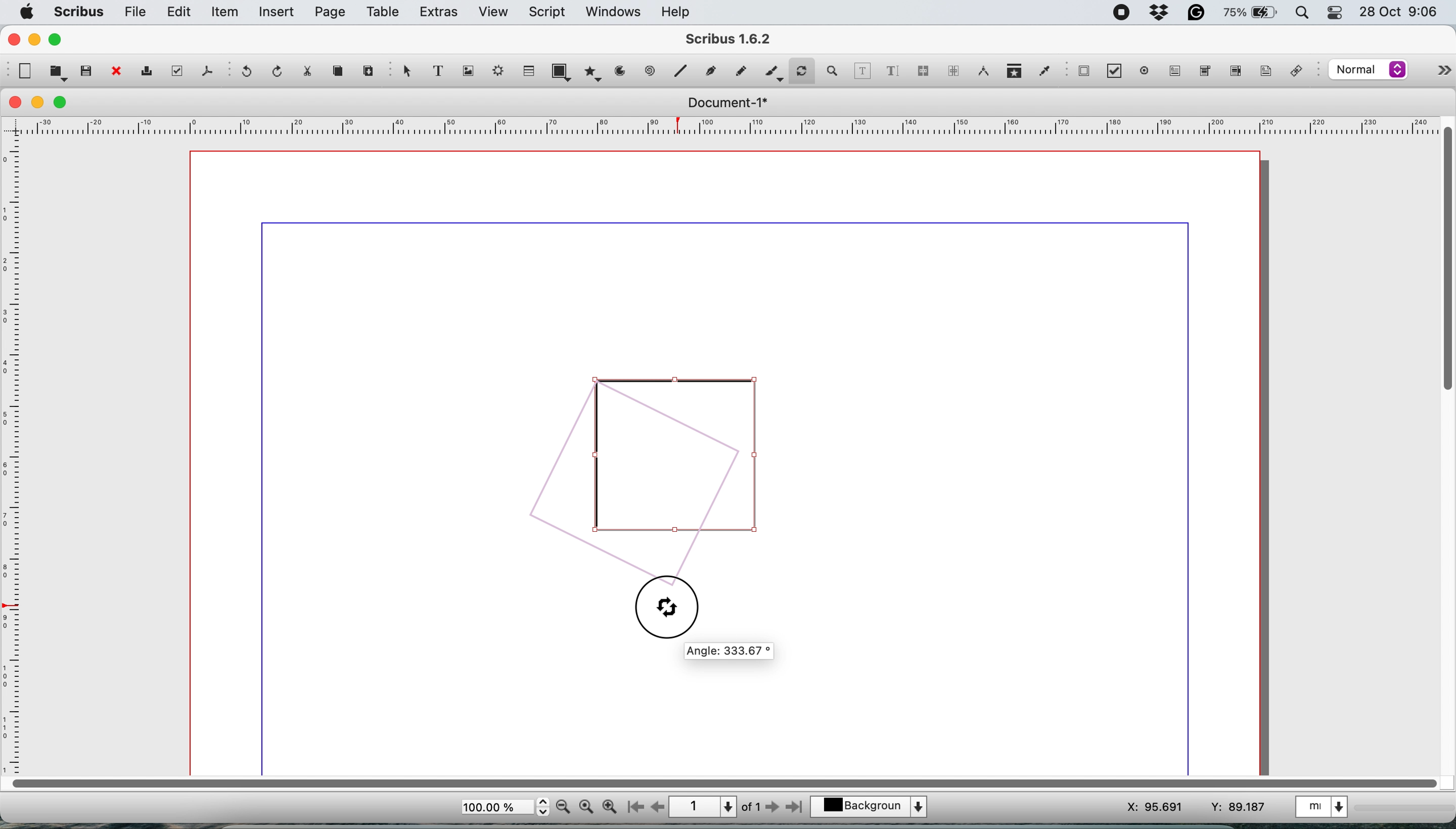 This screenshot has width=1456, height=829. What do you see at coordinates (1248, 14) in the screenshot?
I see `battery` at bounding box center [1248, 14].